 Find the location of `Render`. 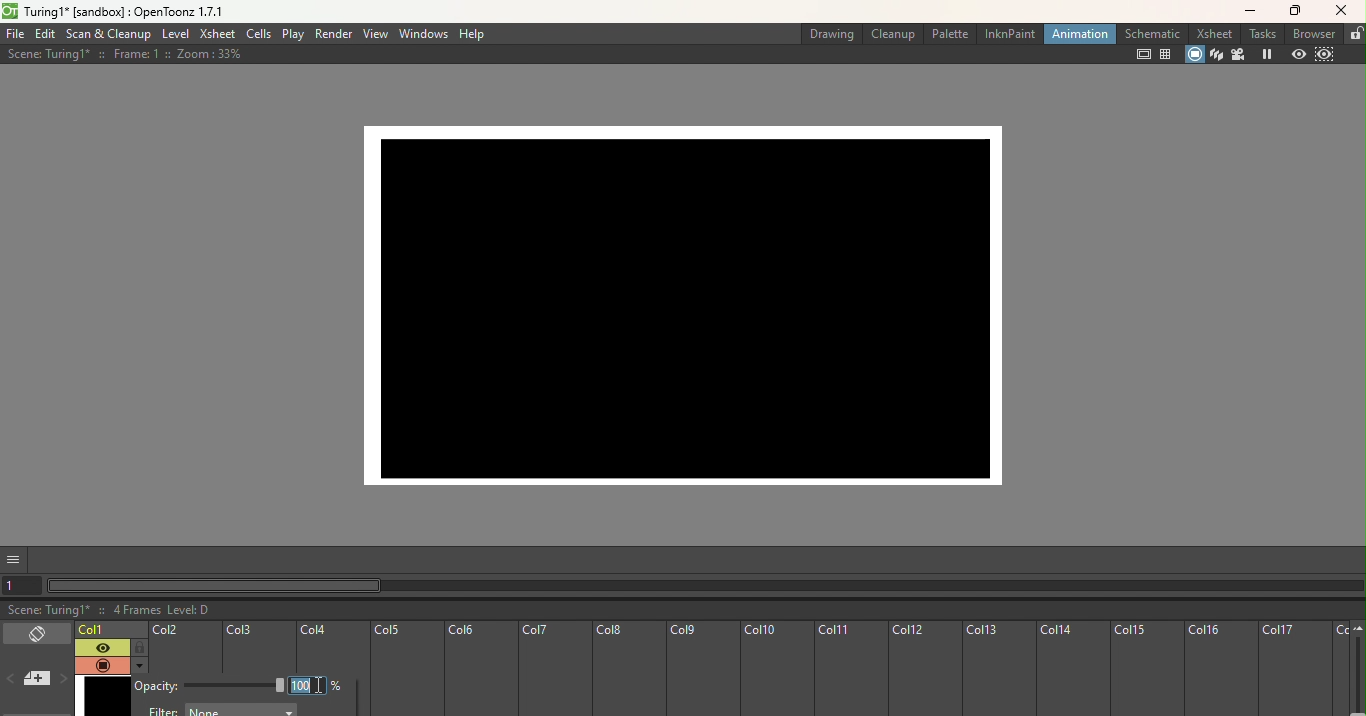

Render is located at coordinates (334, 34).